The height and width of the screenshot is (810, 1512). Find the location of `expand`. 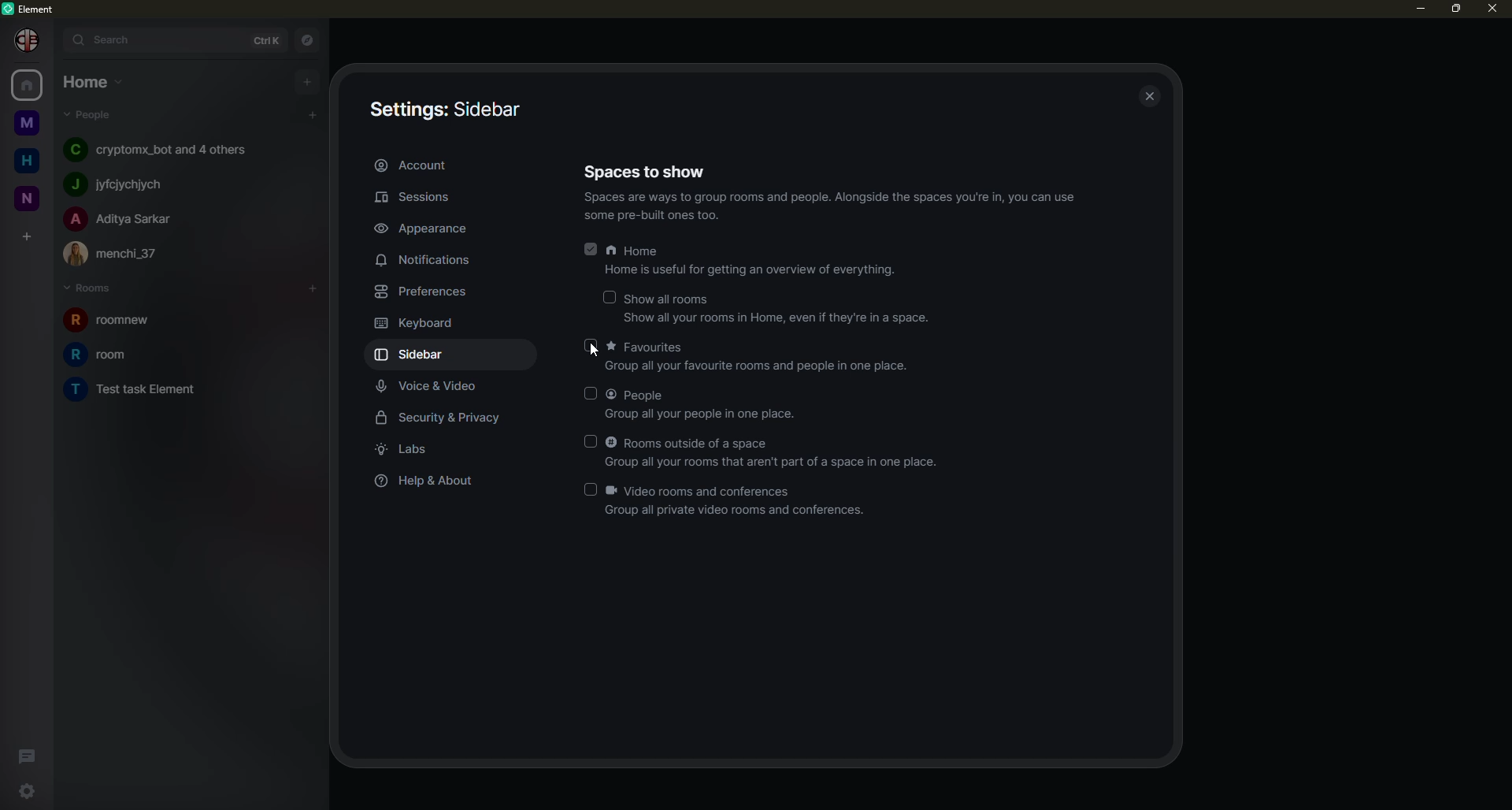

expand is located at coordinates (54, 38).